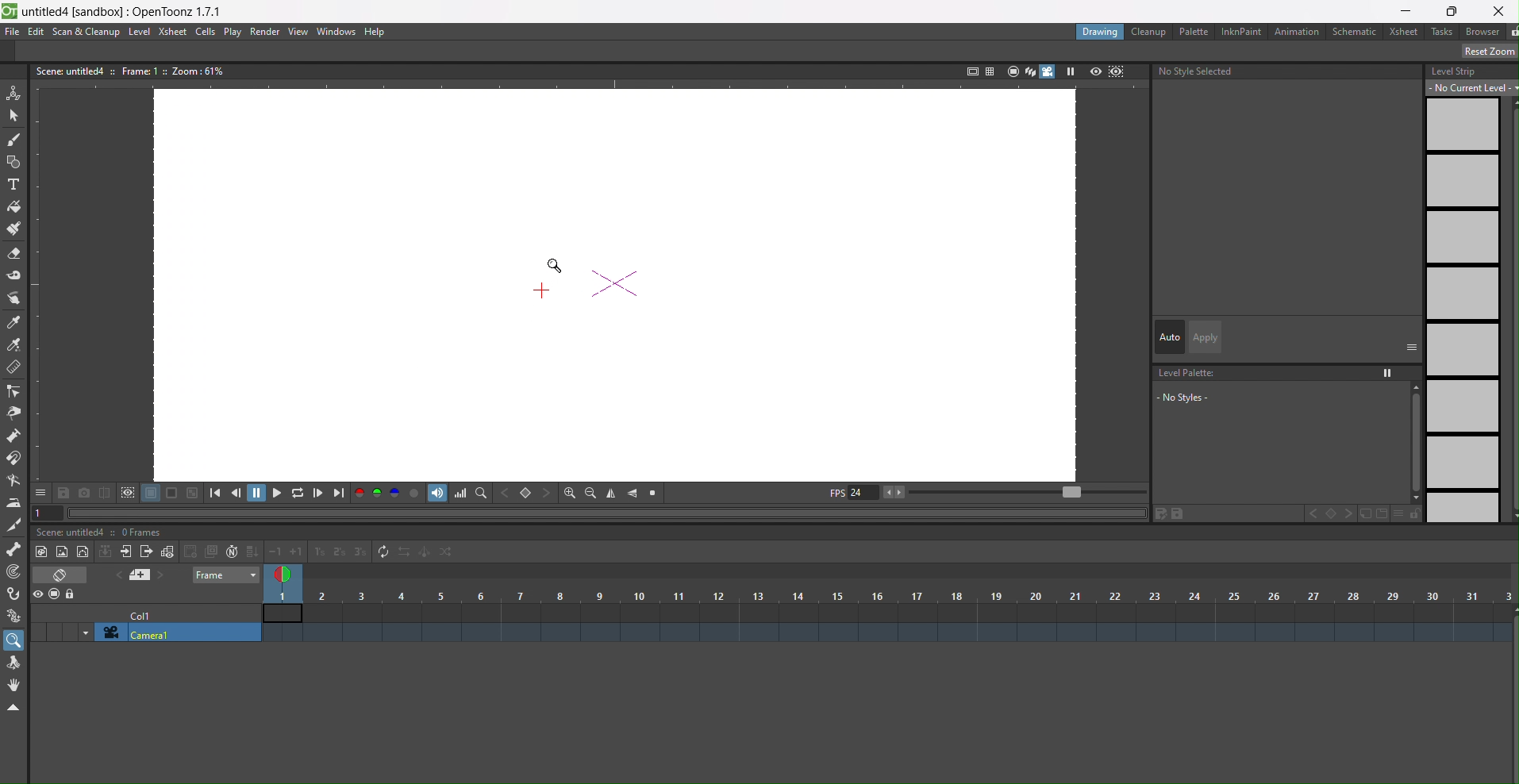 Image resolution: width=1519 pixels, height=784 pixels. I want to click on red, so click(360, 494).